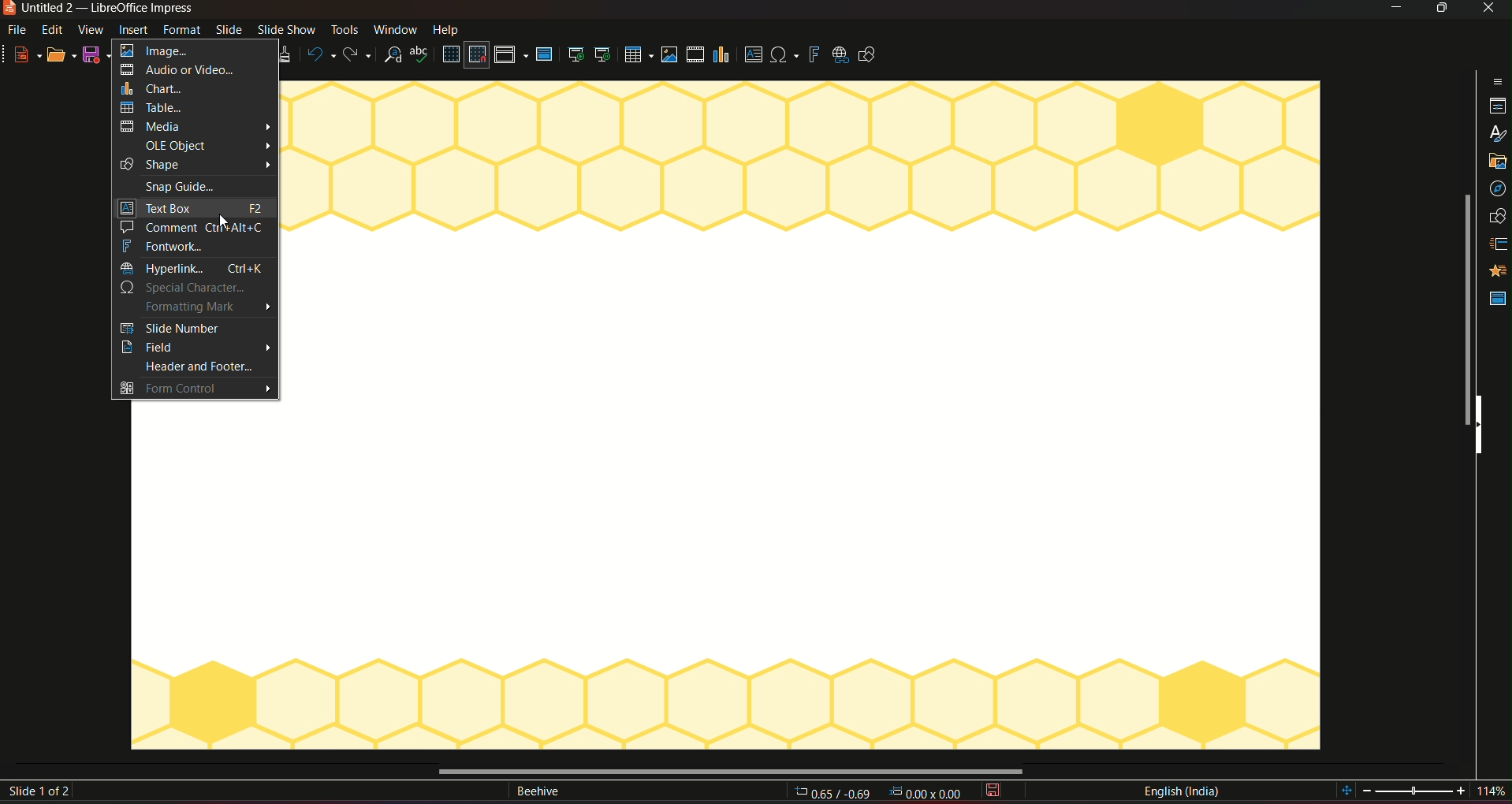 The width and height of the screenshot is (1512, 804). Describe the element at coordinates (193, 247) in the screenshot. I see `fontwork` at that location.